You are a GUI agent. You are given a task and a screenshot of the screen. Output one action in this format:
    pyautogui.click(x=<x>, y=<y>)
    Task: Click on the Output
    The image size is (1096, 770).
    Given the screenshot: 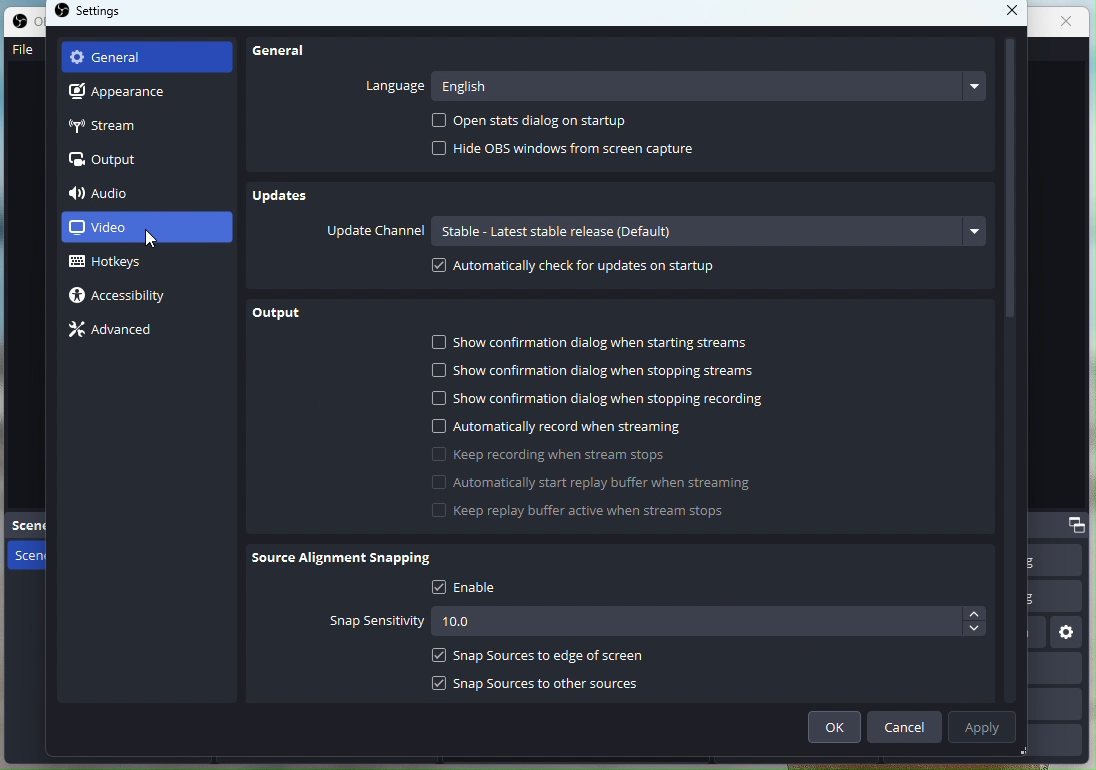 What is the action you would take?
    pyautogui.click(x=282, y=312)
    